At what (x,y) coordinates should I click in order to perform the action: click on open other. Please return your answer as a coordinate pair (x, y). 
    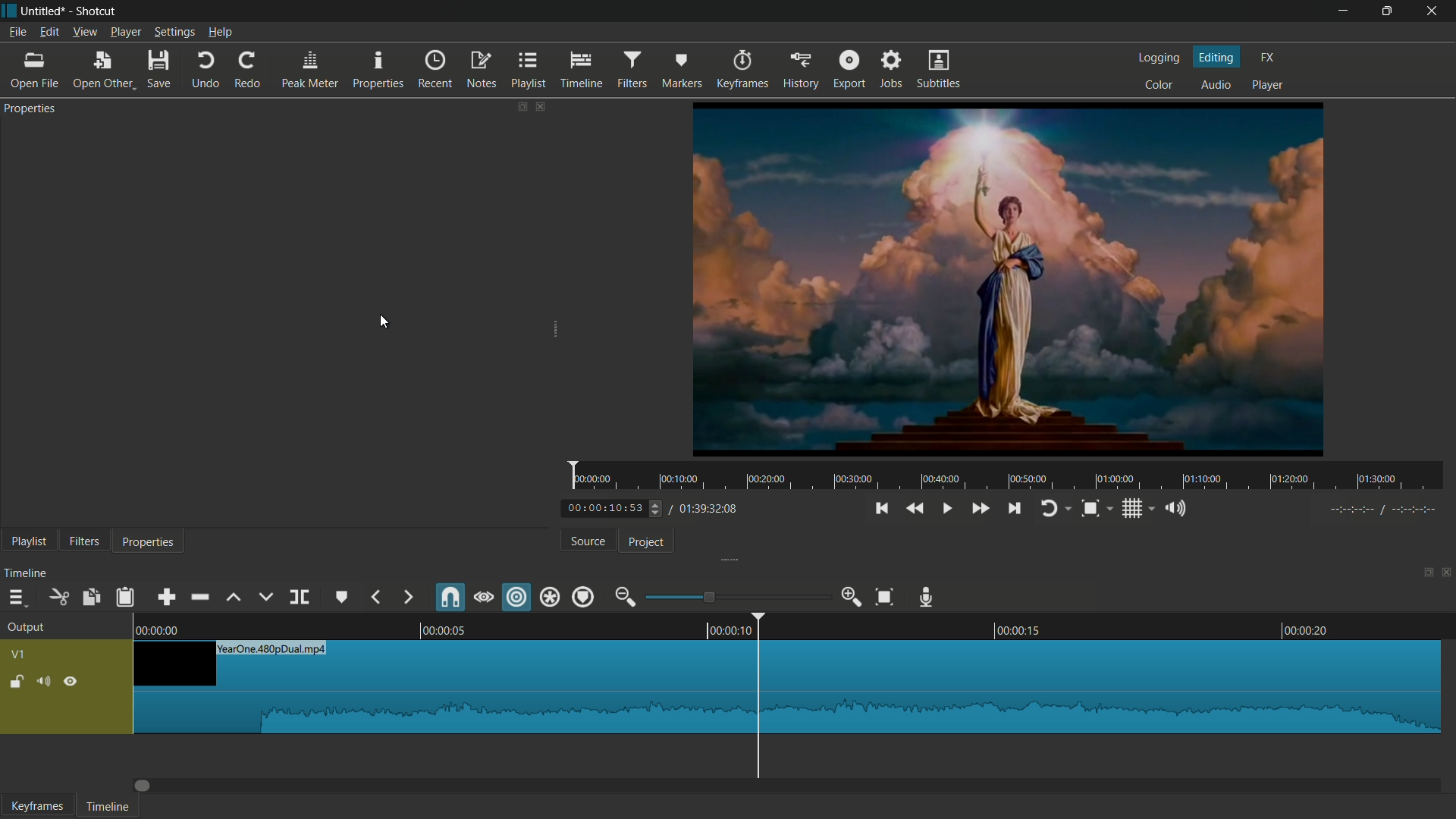
    Looking at the image, I should click on (102, 68).